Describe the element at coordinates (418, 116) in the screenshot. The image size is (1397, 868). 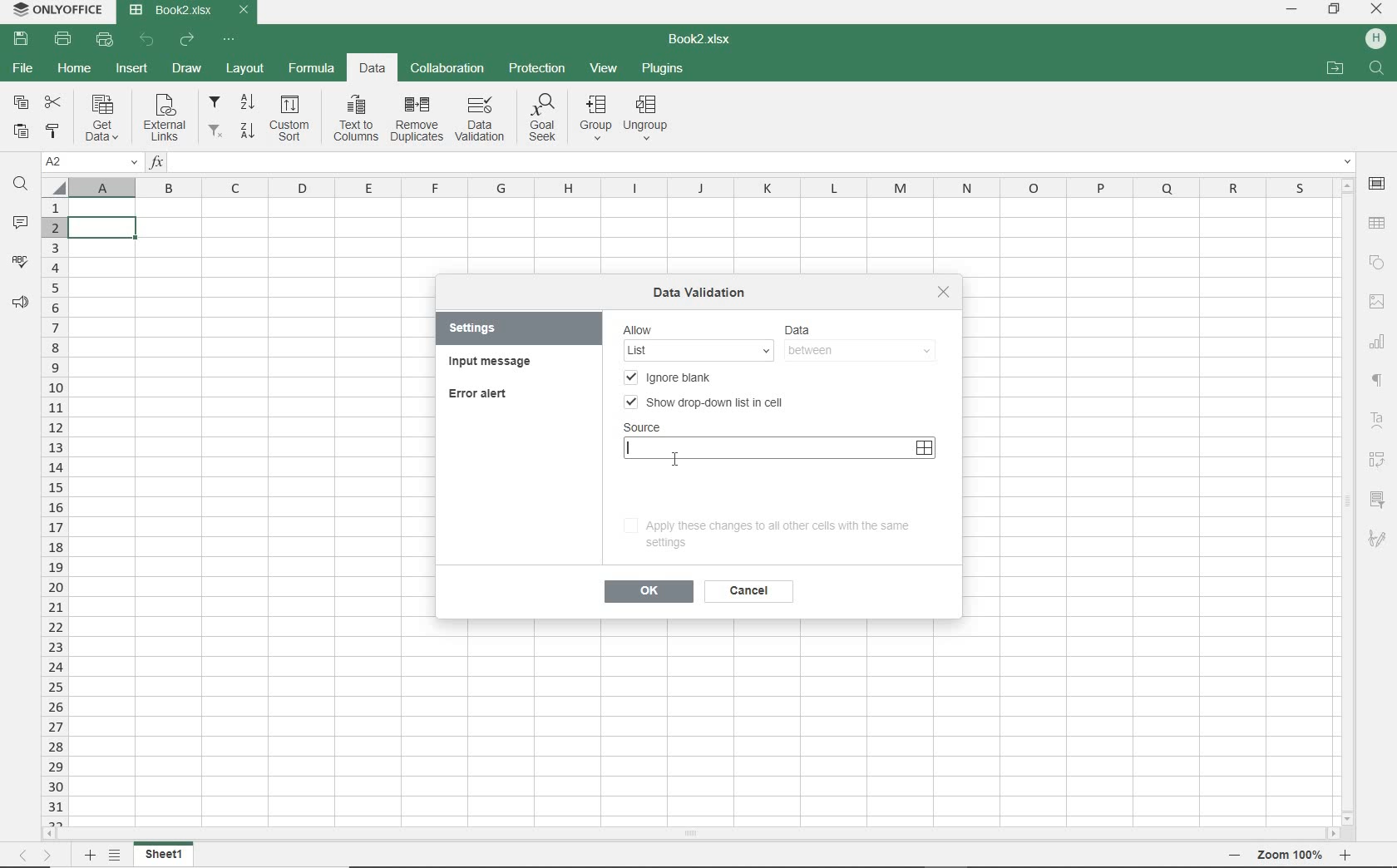
I see `remove duplicates` at that location.